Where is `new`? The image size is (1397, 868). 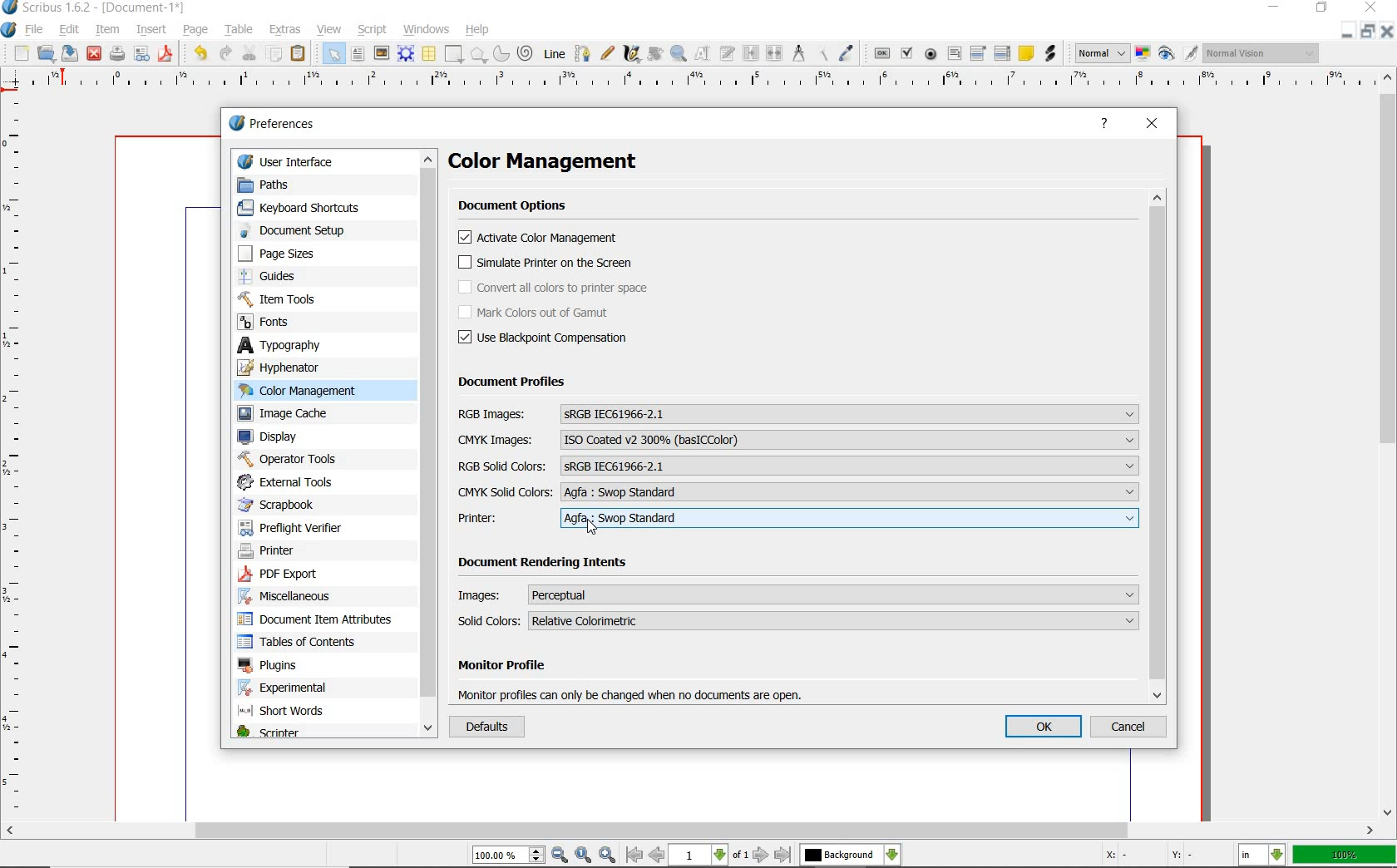 new is located at coordinates (21, 54).